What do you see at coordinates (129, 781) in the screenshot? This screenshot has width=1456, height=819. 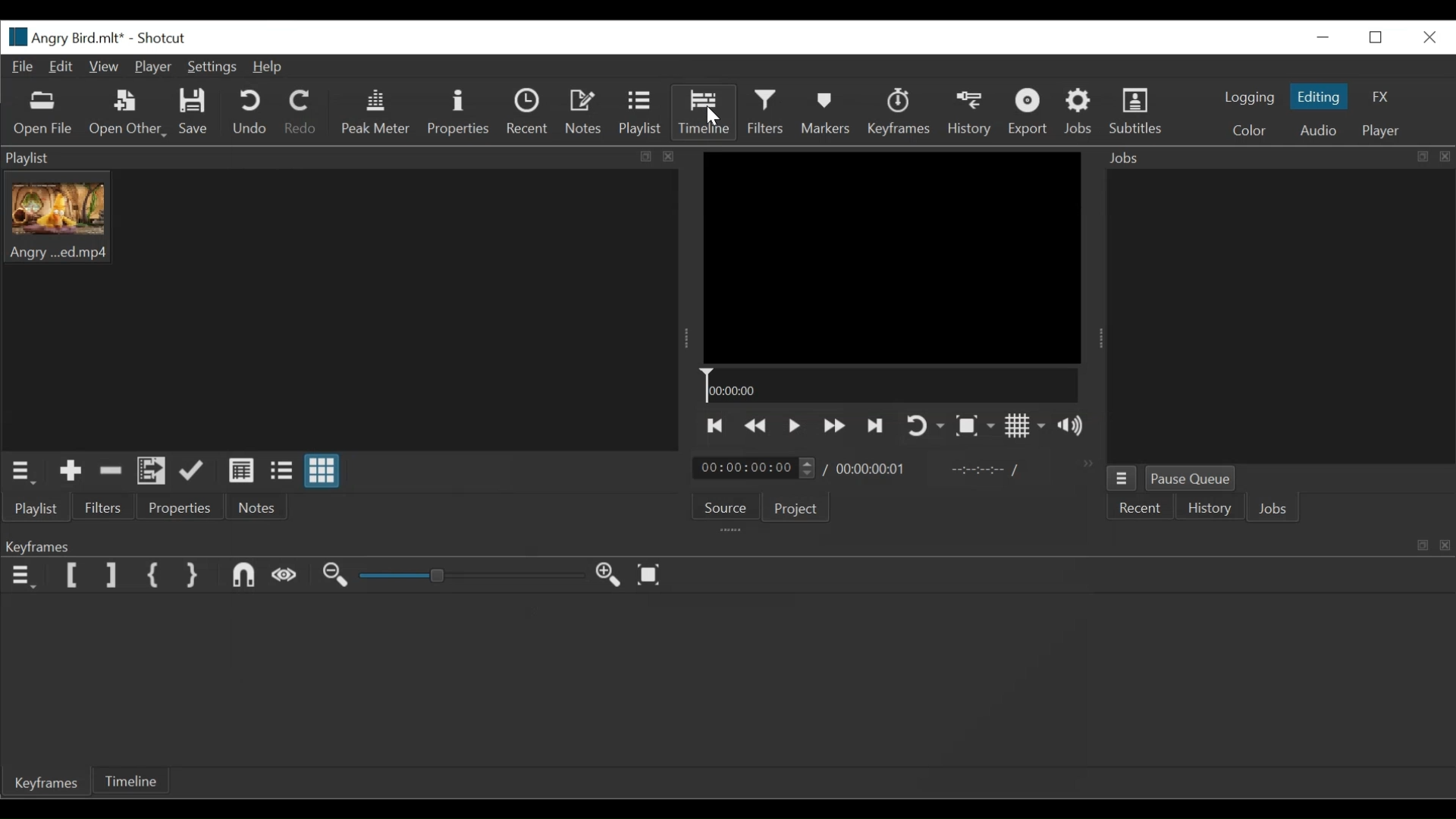 I see `Timeline` at bounding box center [129, 781].